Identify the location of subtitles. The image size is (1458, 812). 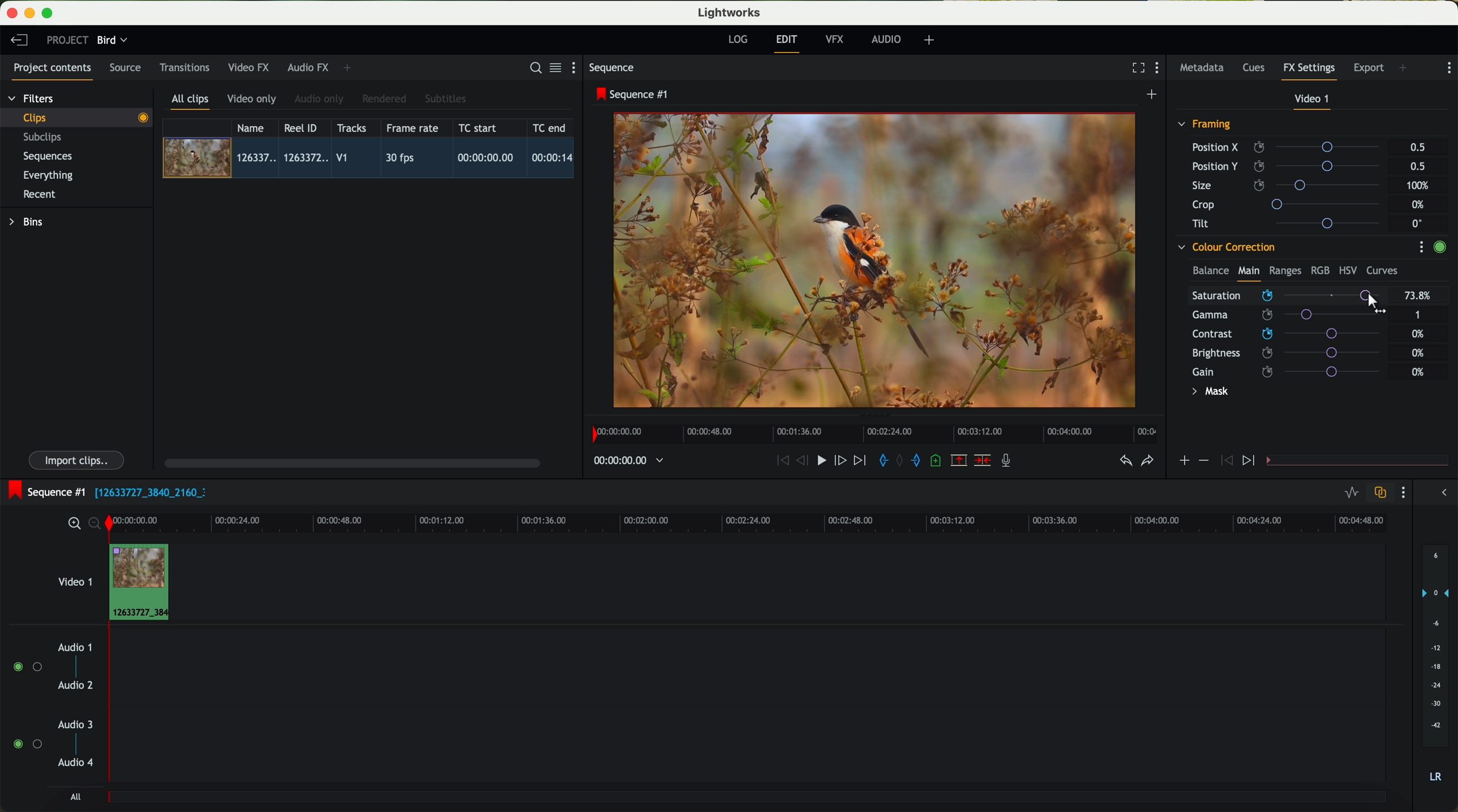
(444, 99).